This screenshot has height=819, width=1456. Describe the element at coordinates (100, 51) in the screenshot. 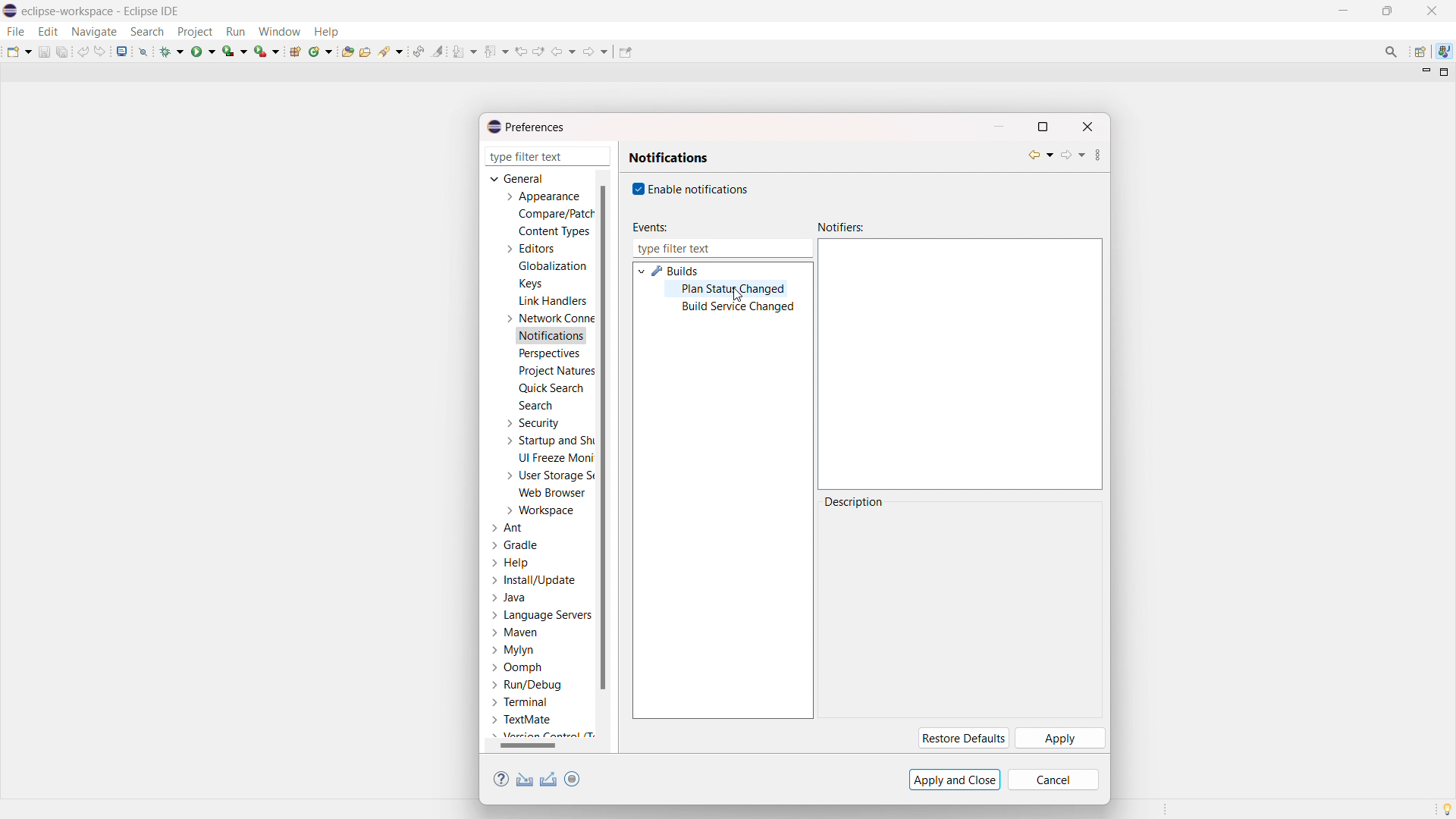

I see `redo` at that location.